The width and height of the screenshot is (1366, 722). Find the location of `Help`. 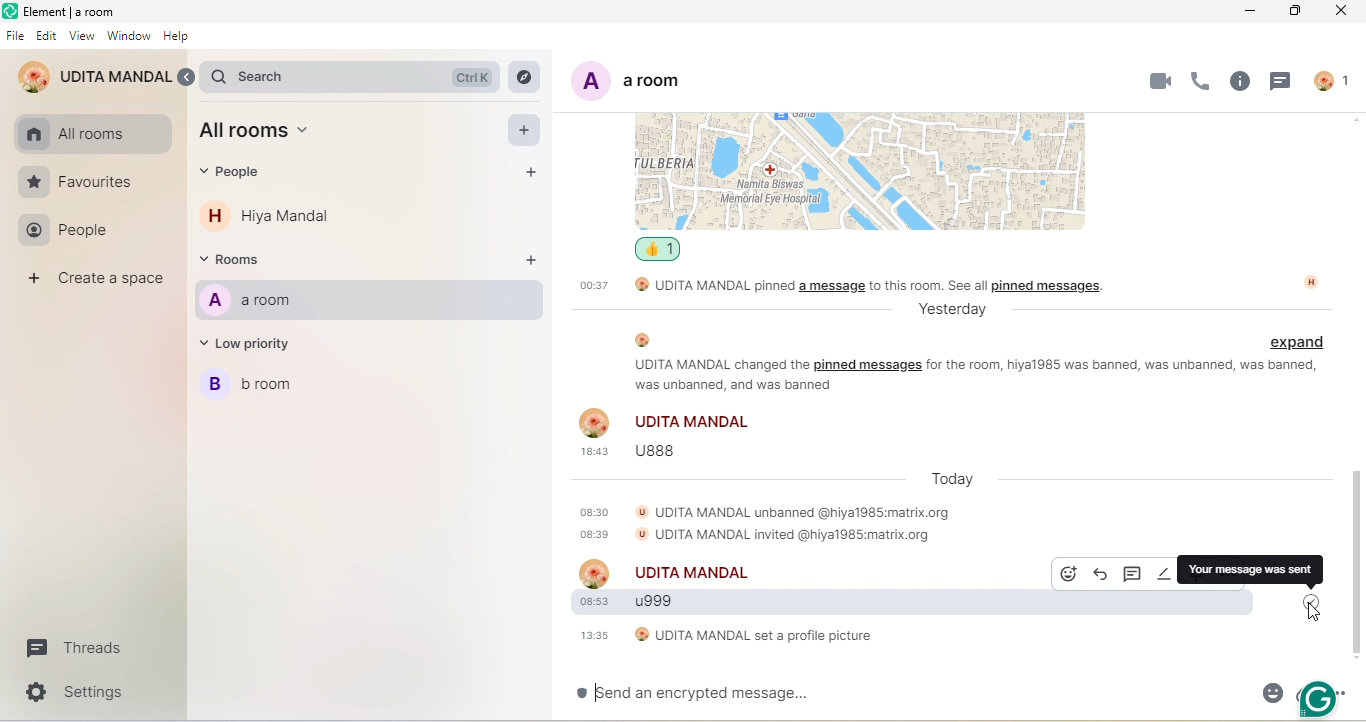

Help is located at coordinates (178, 37).